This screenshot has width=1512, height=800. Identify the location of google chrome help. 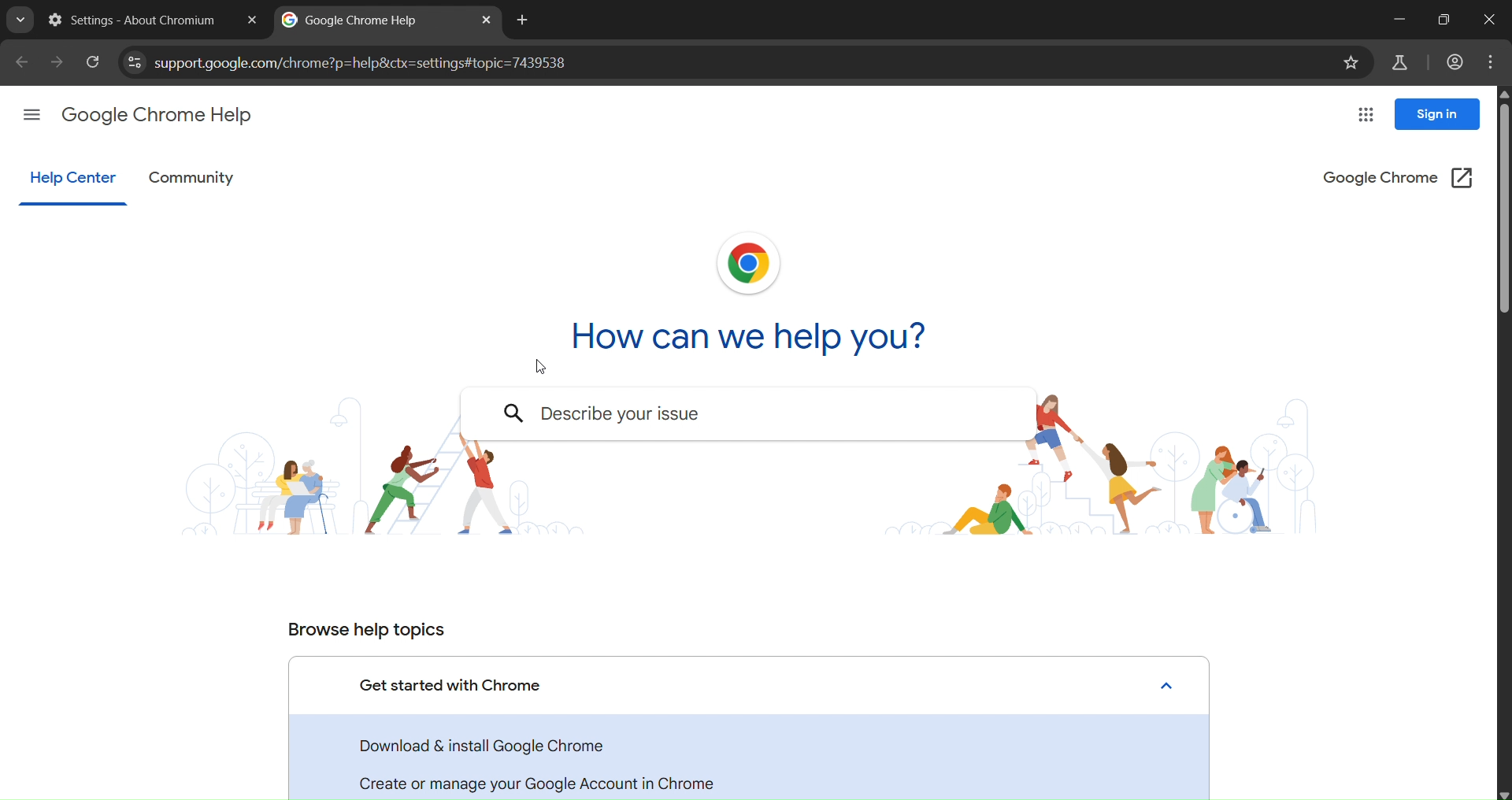
(354, 19).